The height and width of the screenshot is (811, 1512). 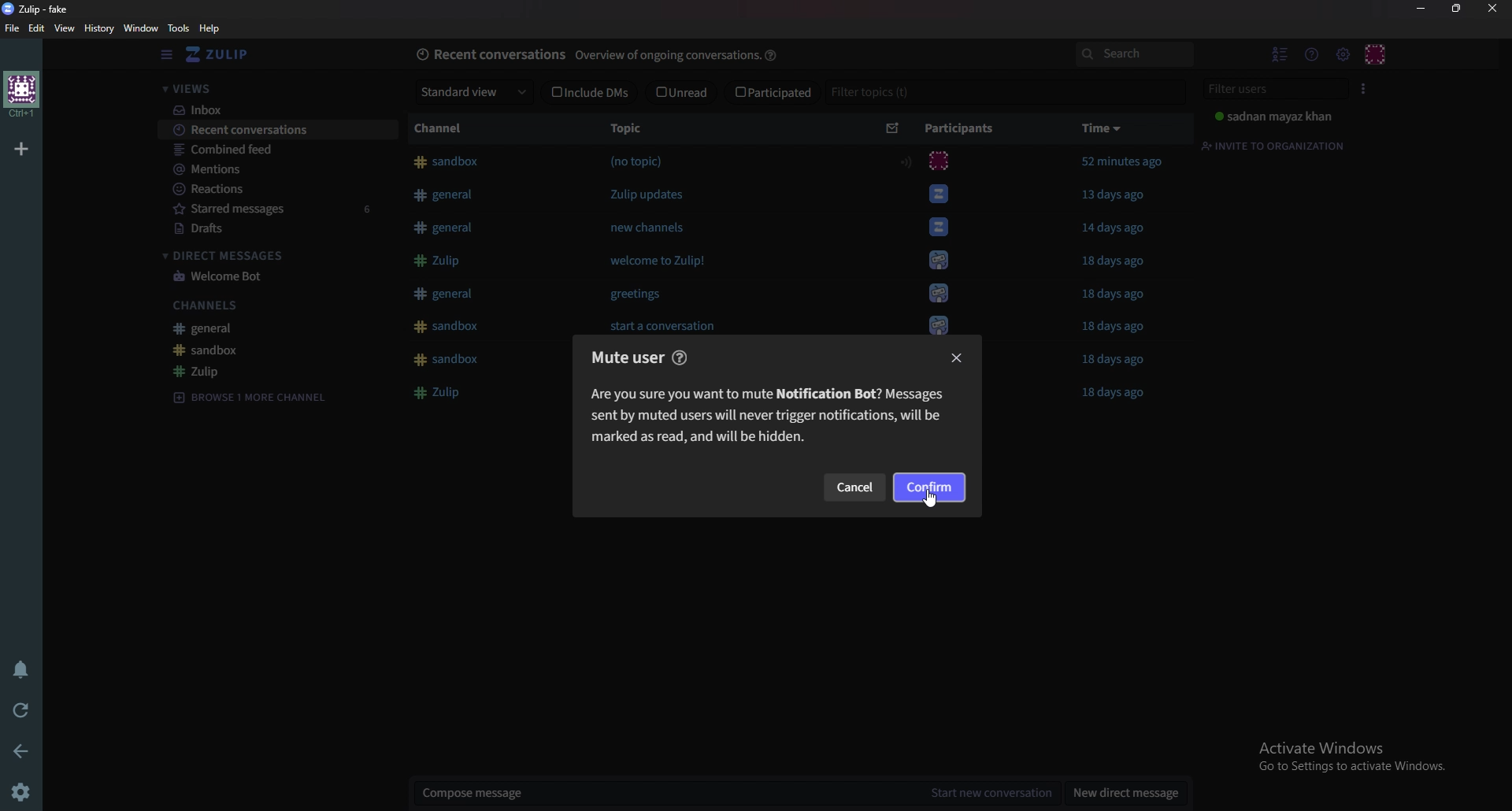 I want to click on icon, so click(x=940, y=194).